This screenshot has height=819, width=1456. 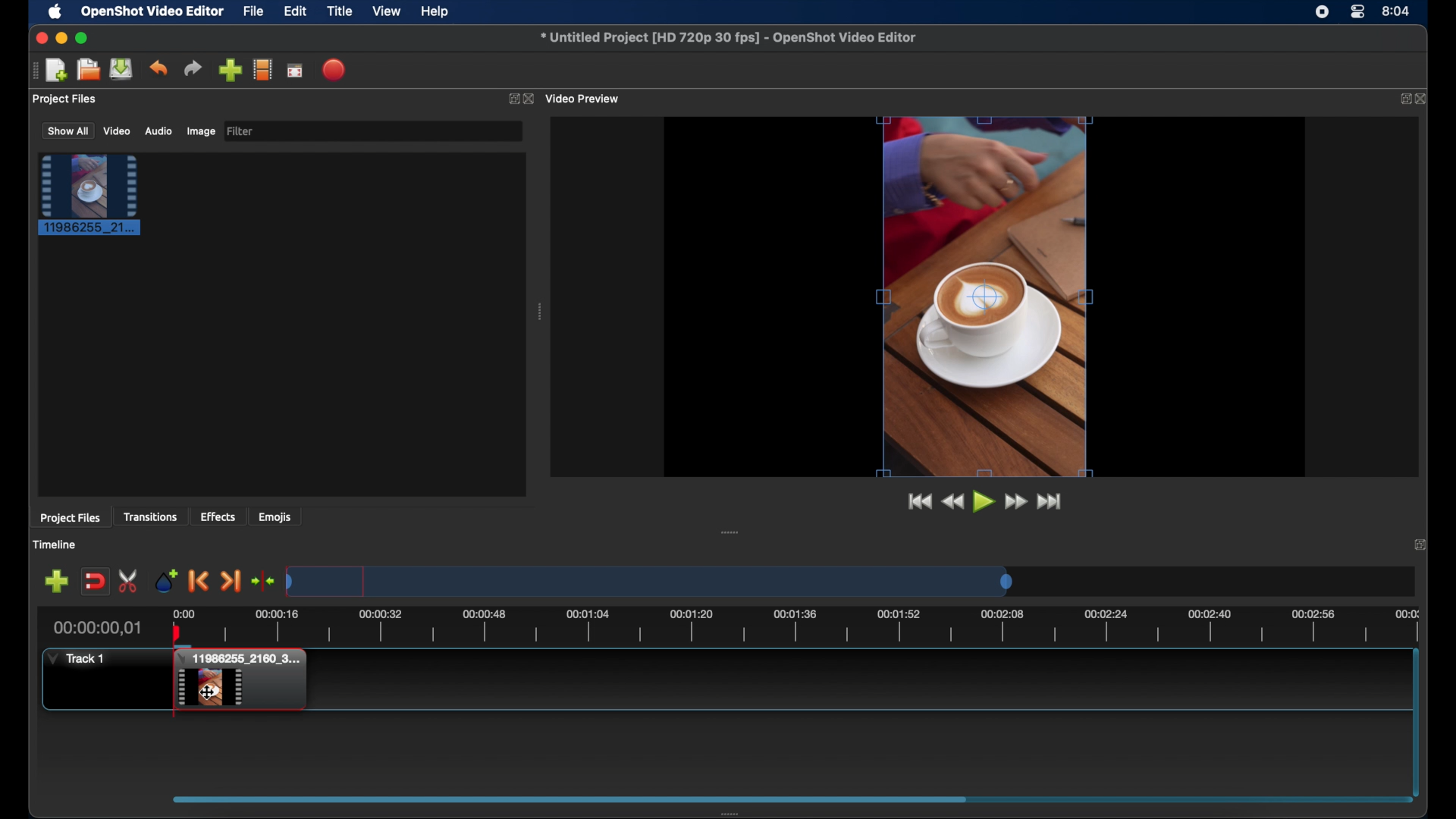 I want to click on close, so click(x=41, y=39).